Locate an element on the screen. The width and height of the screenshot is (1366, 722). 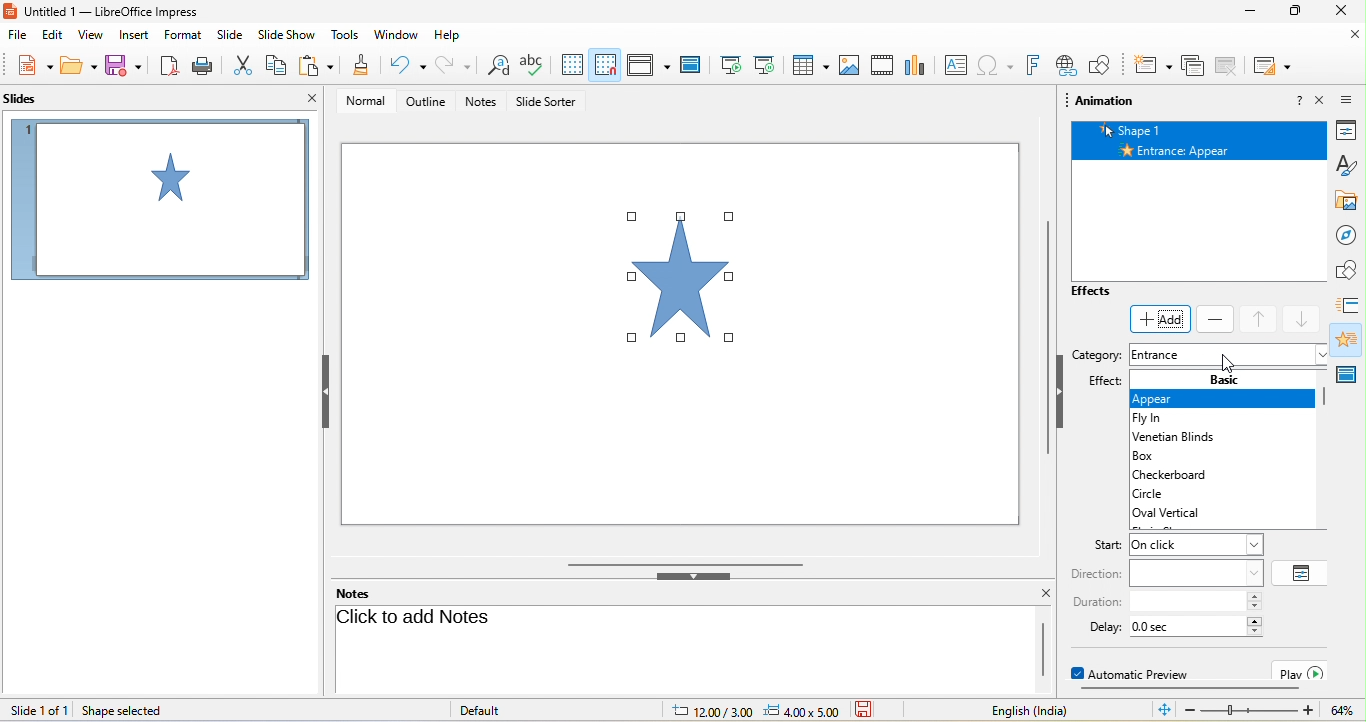
select add is located at coordinates (1160, 320).